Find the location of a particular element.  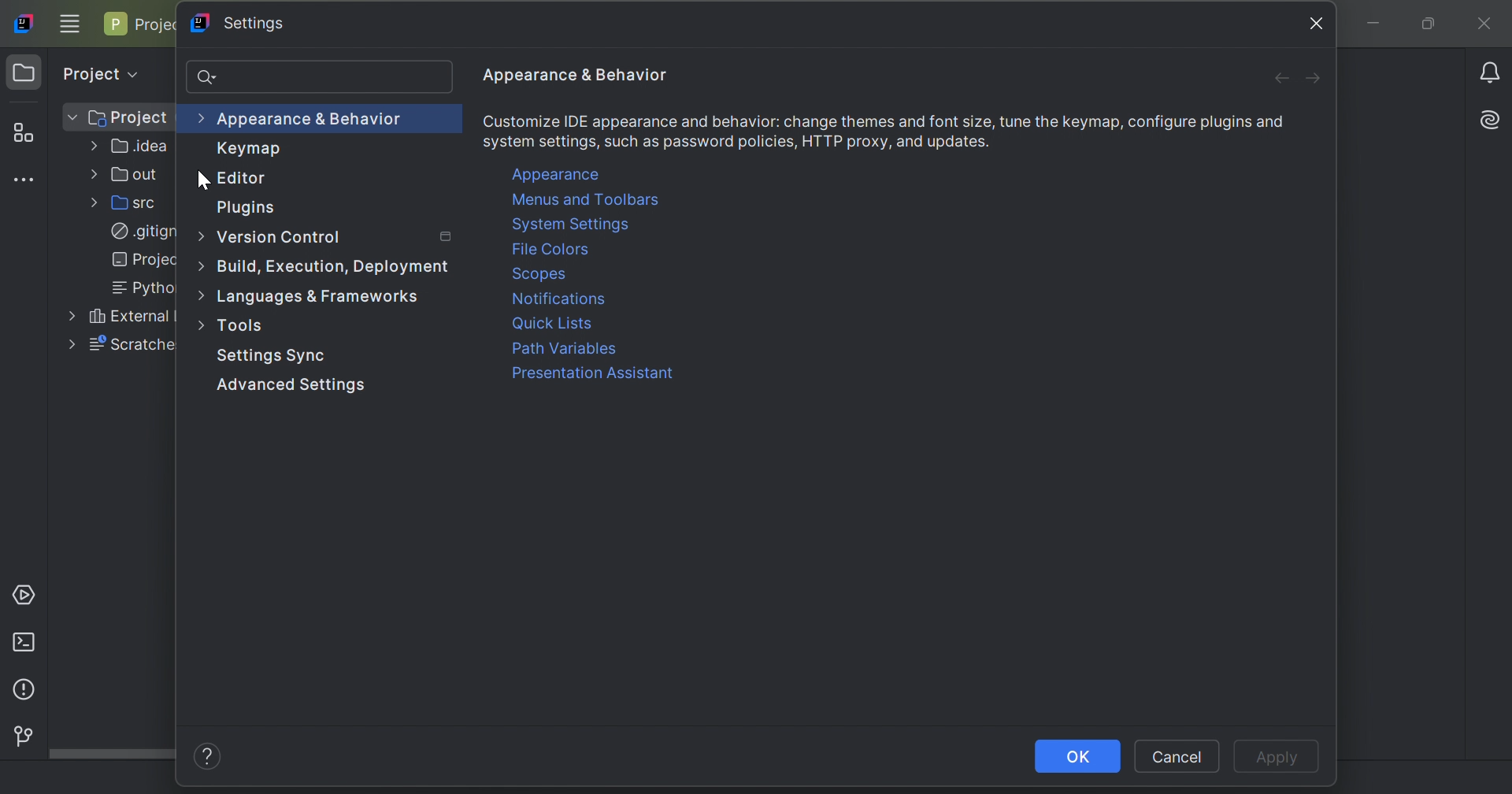

Settings marked with this icon are only applicable to the current project. Non-marked settings are applied to all projects is located at coordinates (447, 237).